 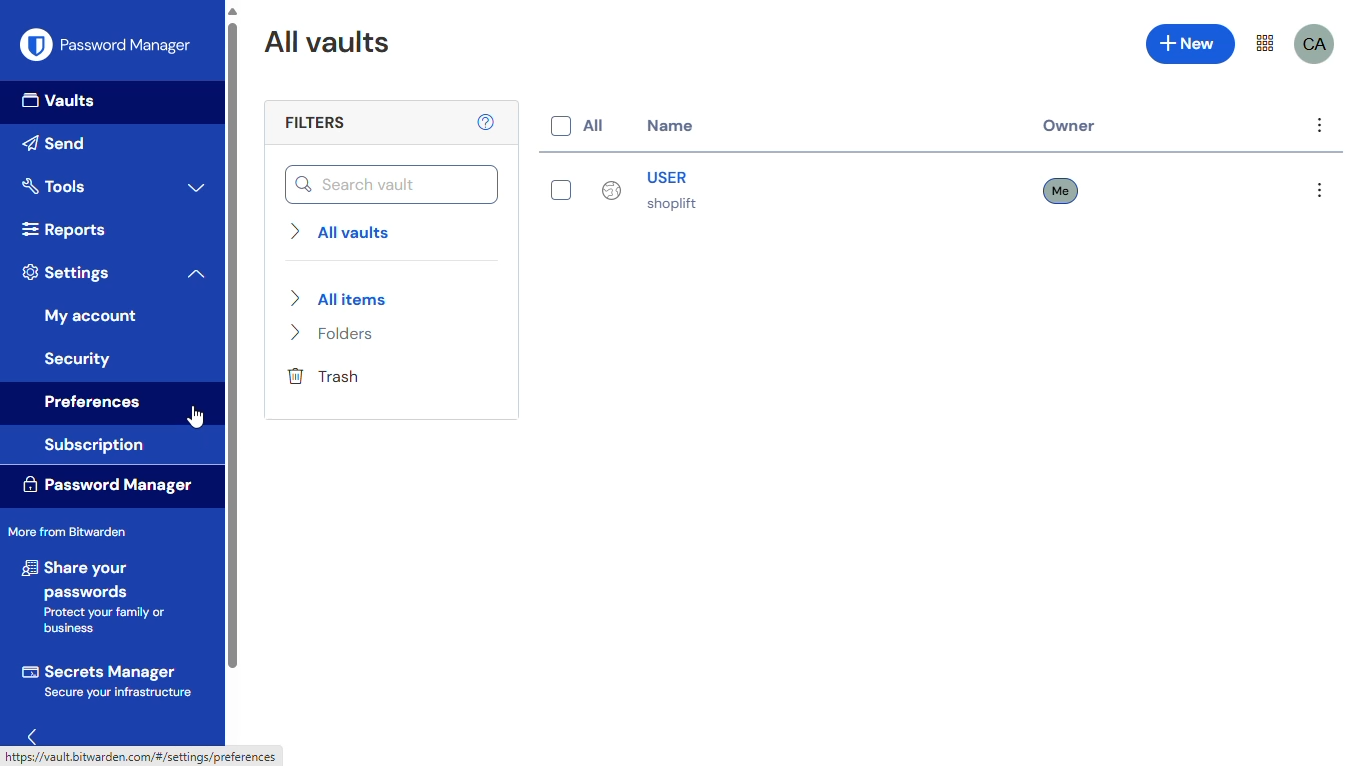 I want to click on search vault, so click(x=392, y=184).